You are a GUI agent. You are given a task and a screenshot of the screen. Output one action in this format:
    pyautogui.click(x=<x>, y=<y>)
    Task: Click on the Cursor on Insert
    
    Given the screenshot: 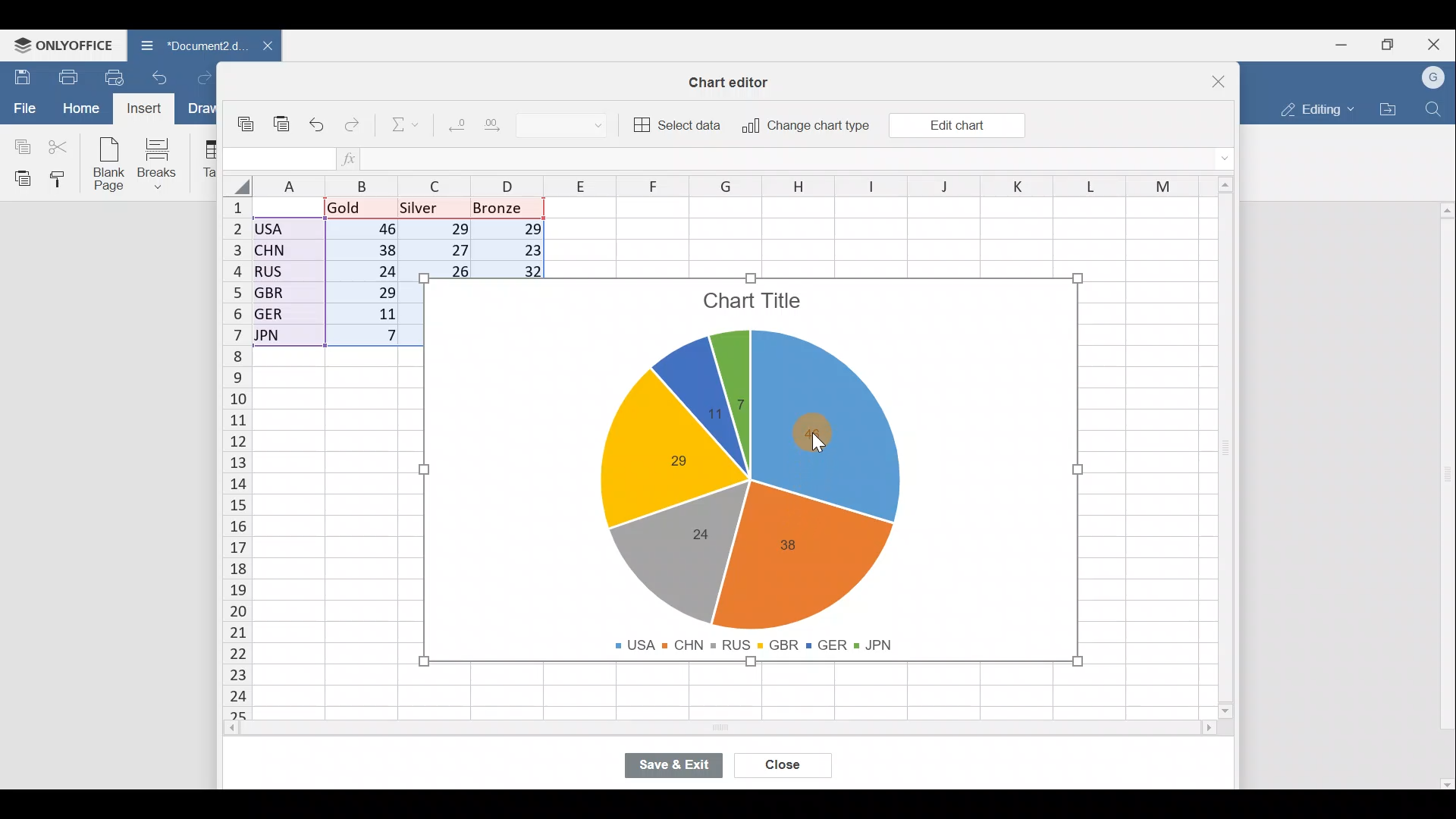 What is the action you would take?
    pyautogui.click(x=149, y=108)
    